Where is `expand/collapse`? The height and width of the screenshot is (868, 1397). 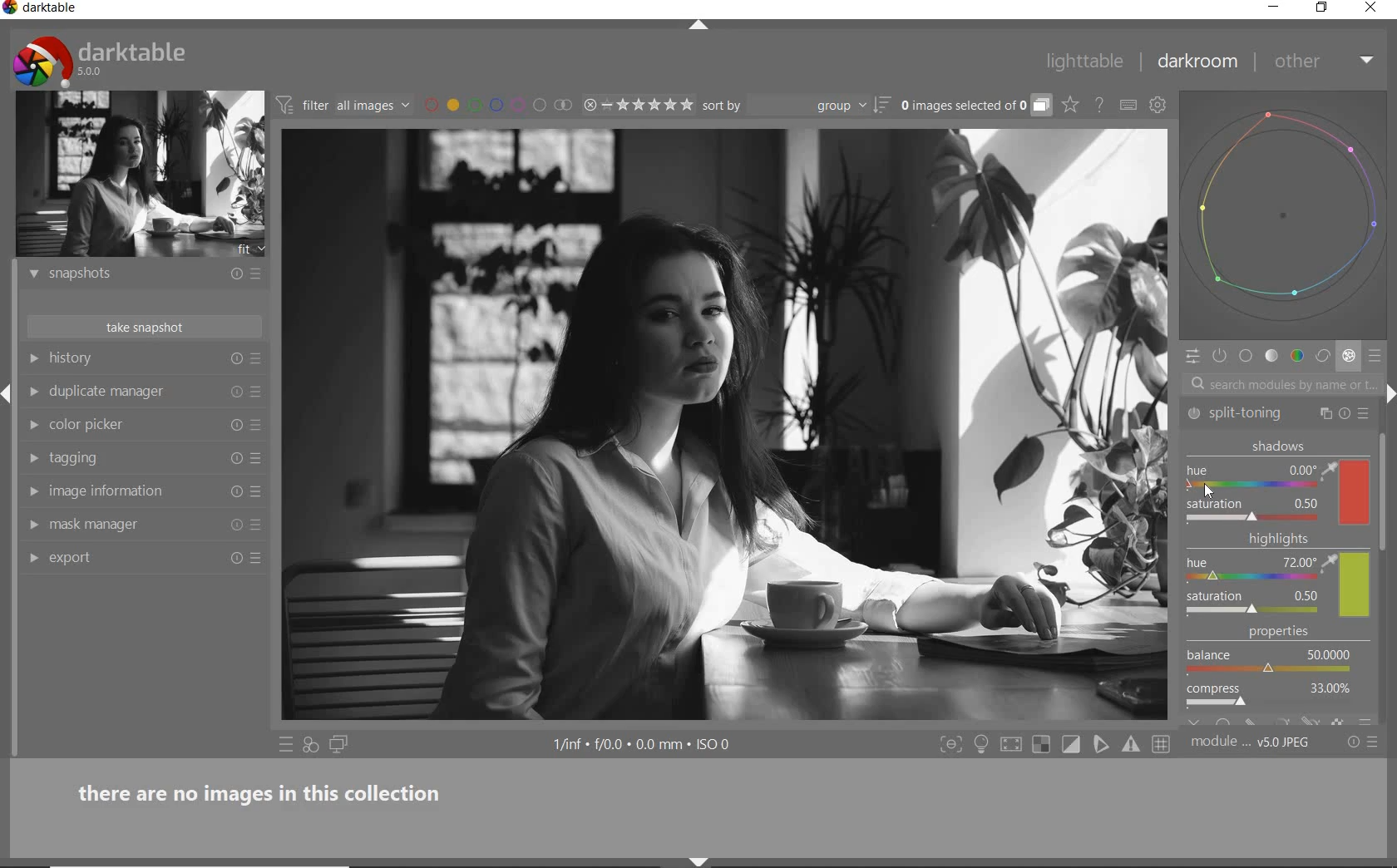
expand/collapse is located at coordinates (706, 26).